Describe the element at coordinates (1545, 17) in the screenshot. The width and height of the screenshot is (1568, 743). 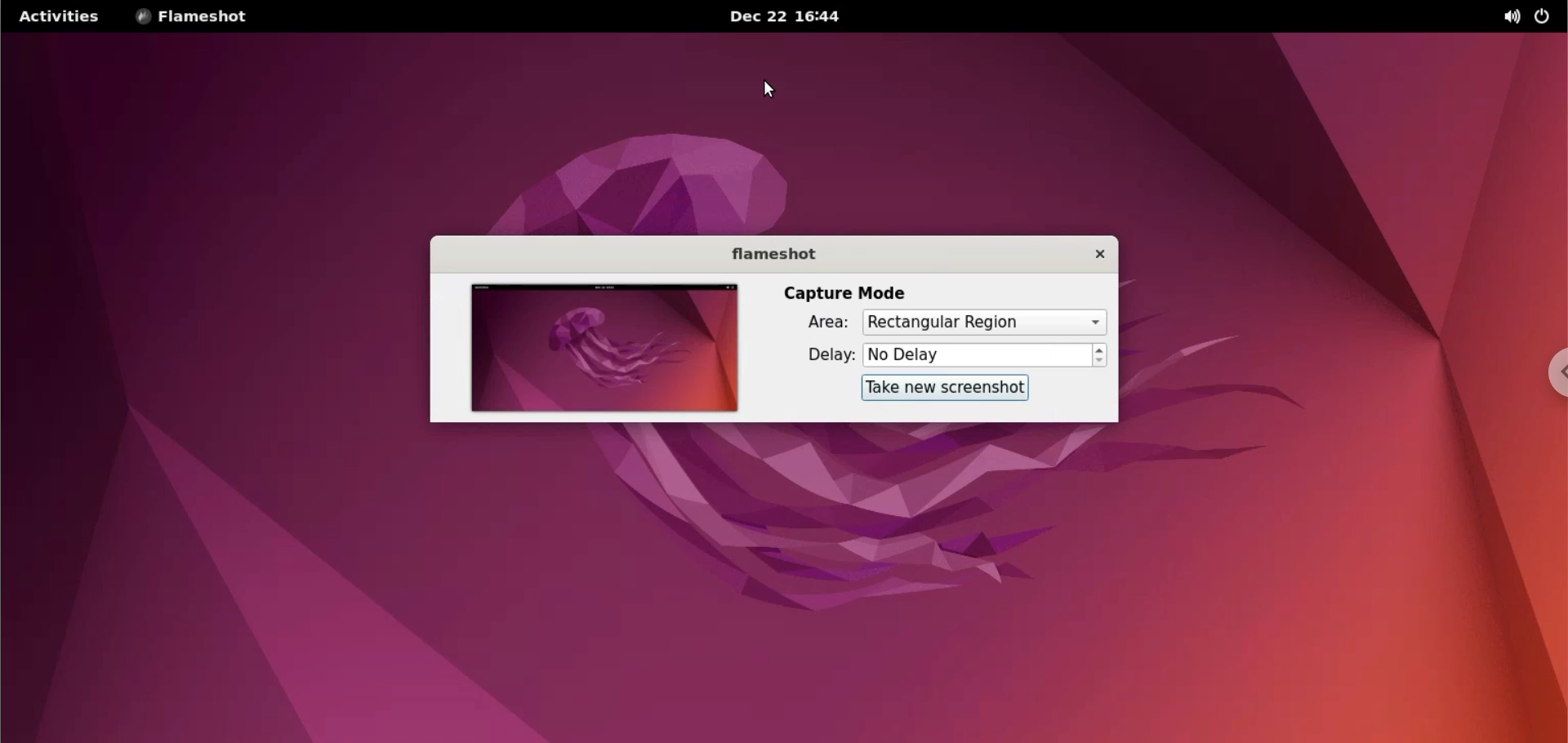
I see `power options ` at that location.